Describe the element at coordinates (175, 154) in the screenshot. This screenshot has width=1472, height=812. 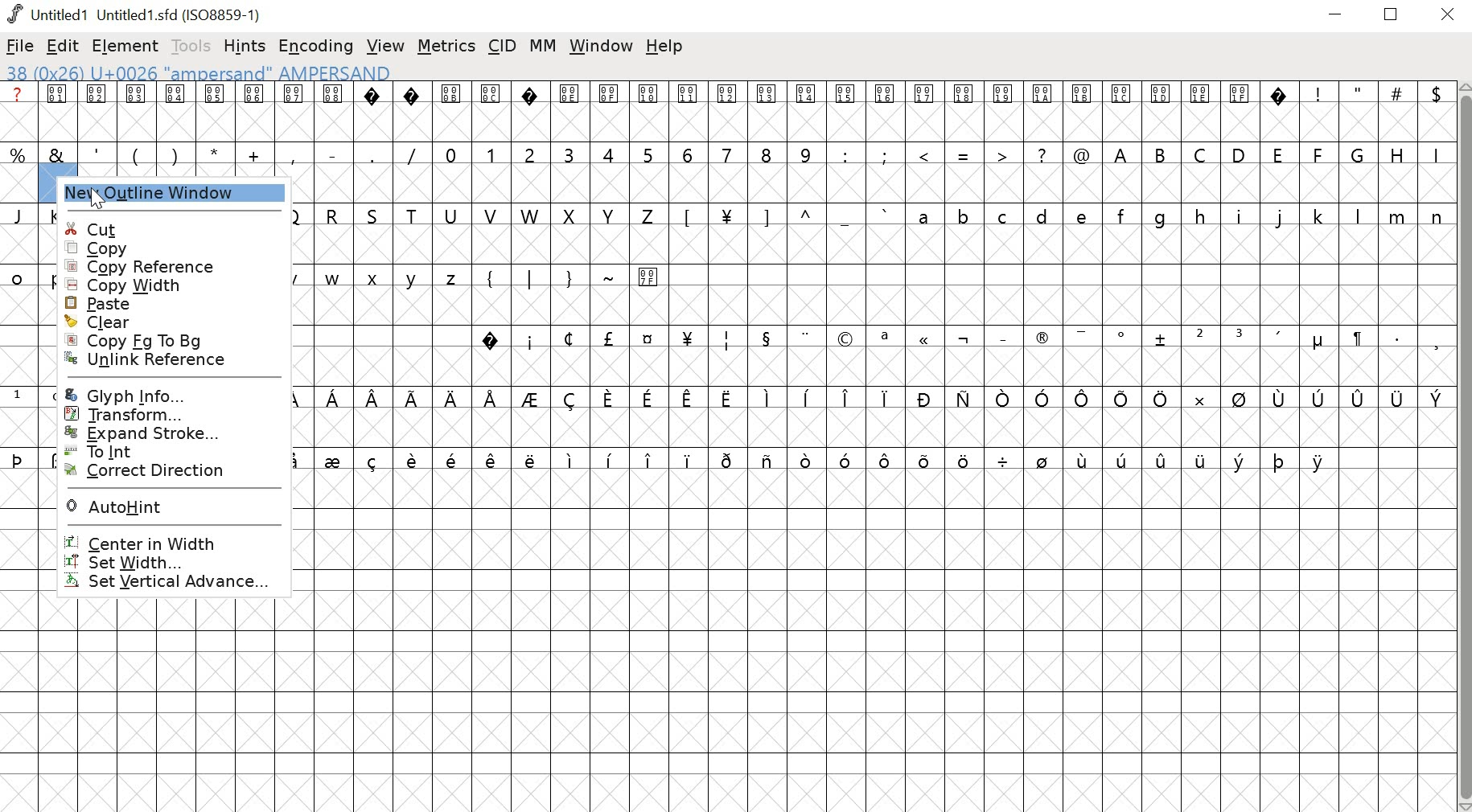
I see `)` at that location.